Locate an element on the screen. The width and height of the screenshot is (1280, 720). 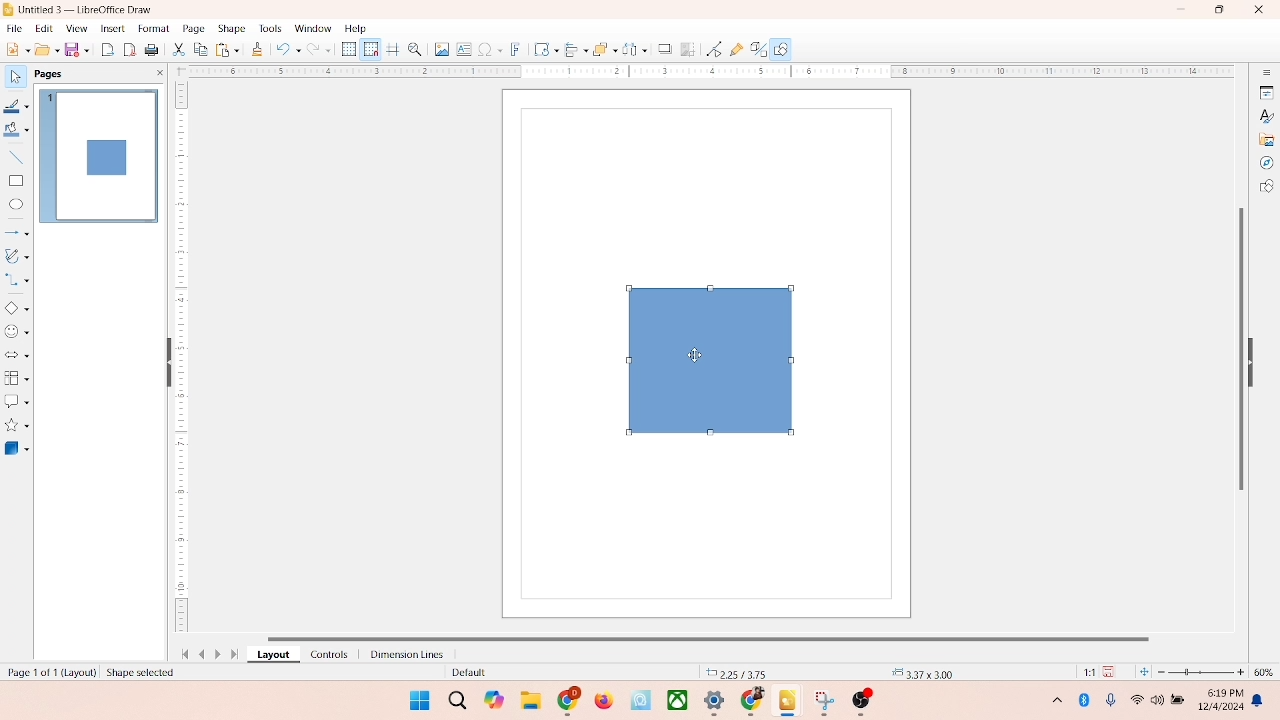
search is located at coordinates (458, 699).